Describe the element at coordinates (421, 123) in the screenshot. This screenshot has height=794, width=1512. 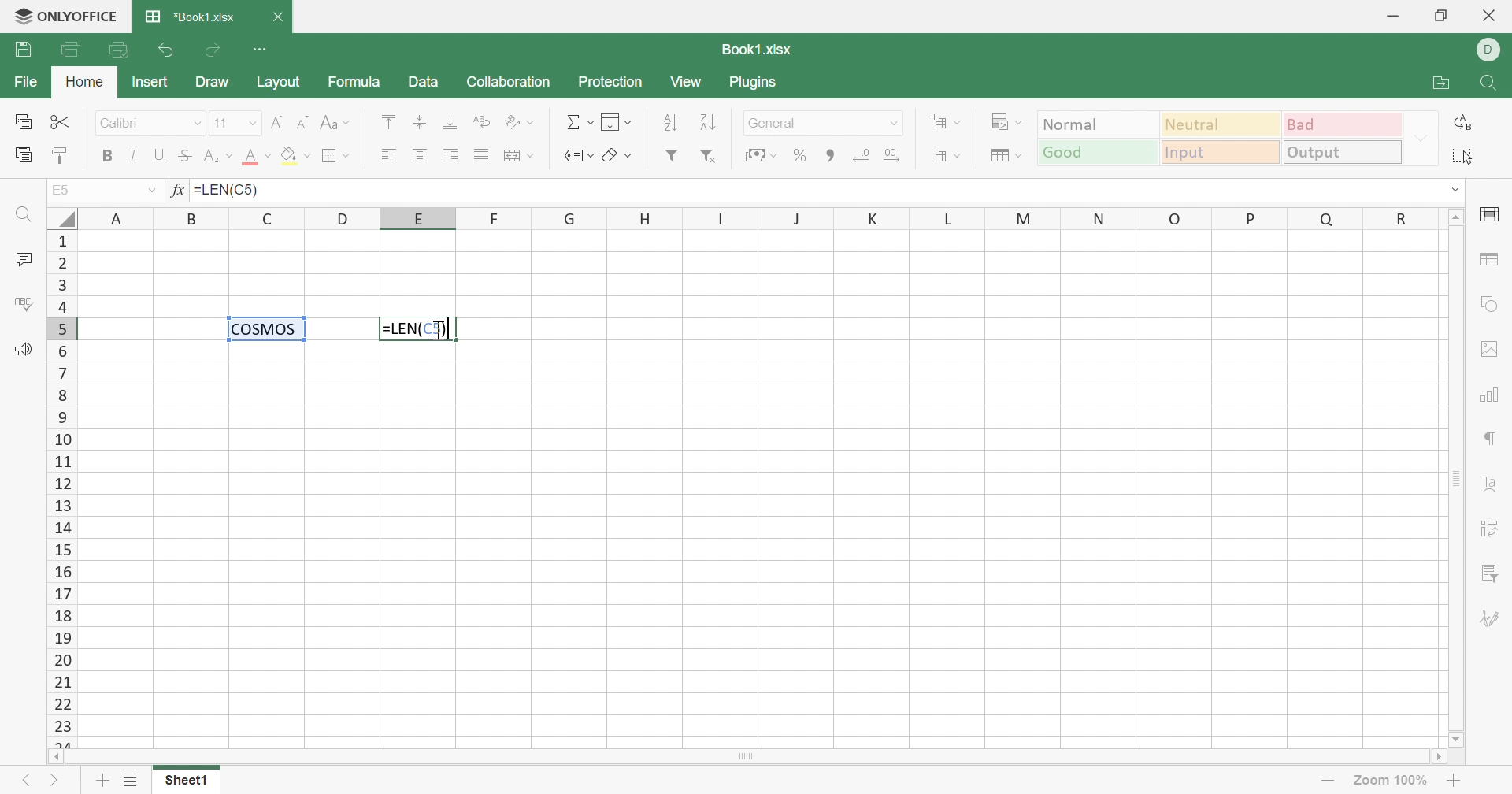
I see `Align middle` at that location.